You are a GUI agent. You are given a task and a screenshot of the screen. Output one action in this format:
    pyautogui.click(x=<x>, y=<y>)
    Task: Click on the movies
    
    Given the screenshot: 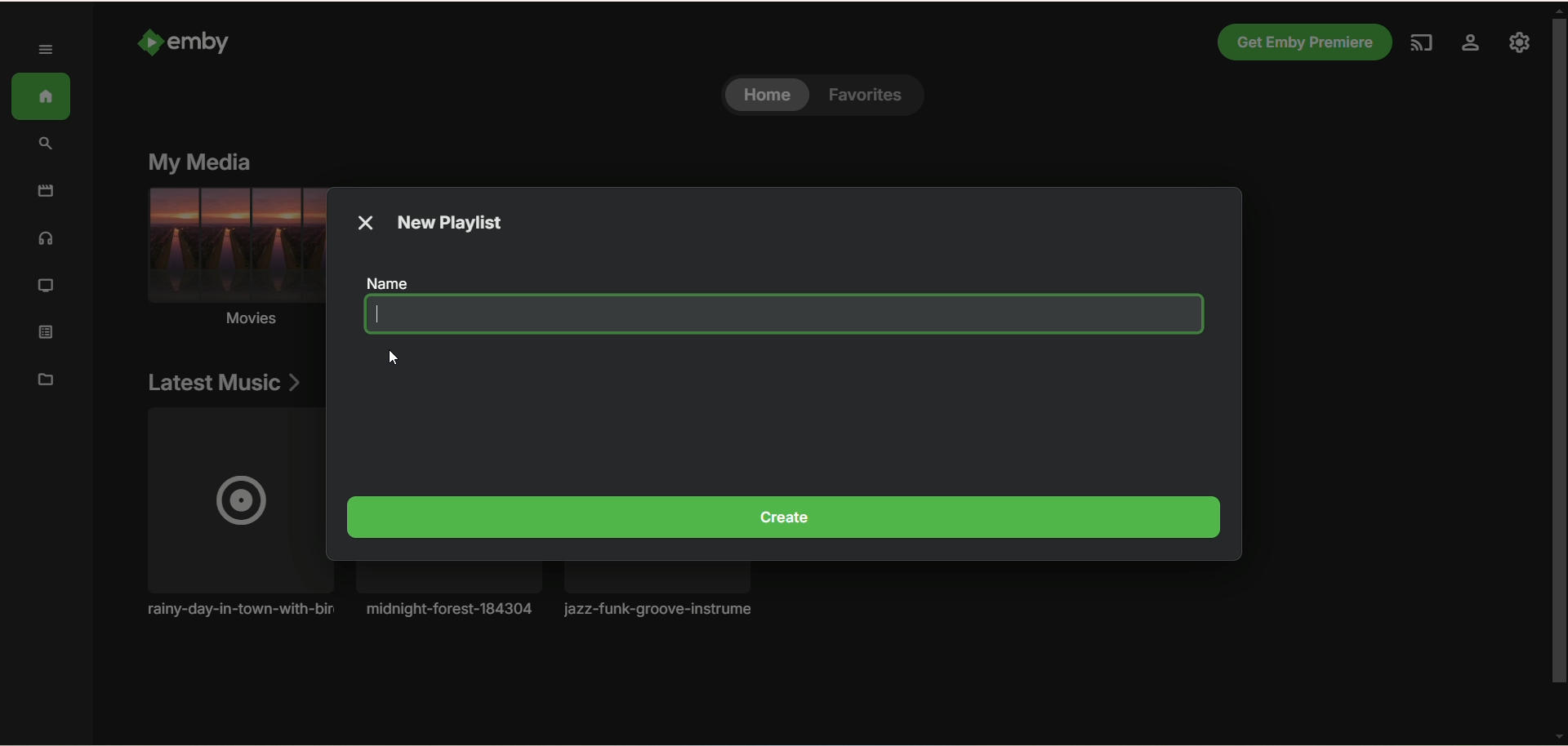 What is the action you would take?
    pyautogui.click(x=232, y=260)
    